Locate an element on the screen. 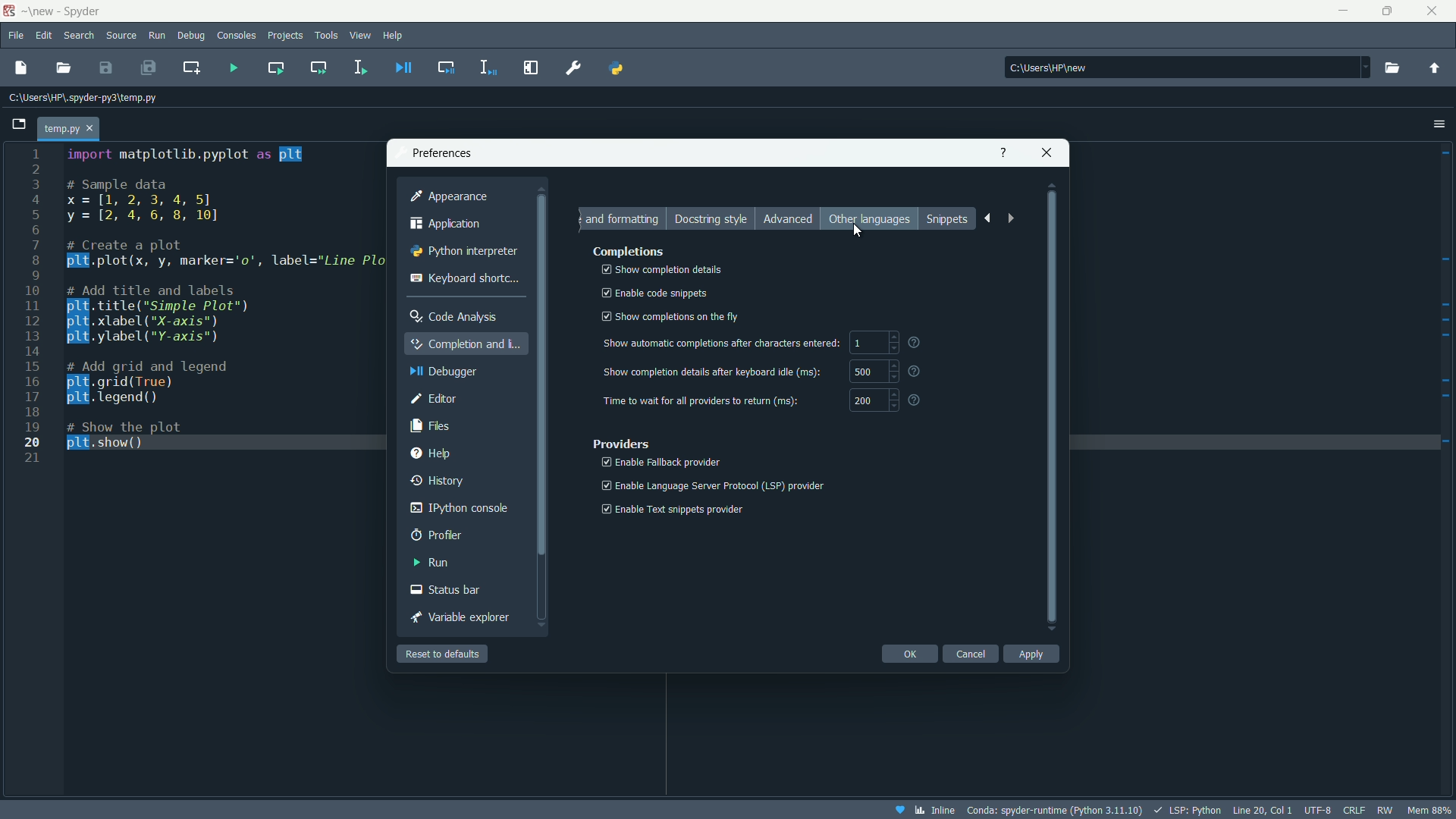  other languages is located at coordinates (868, 218).